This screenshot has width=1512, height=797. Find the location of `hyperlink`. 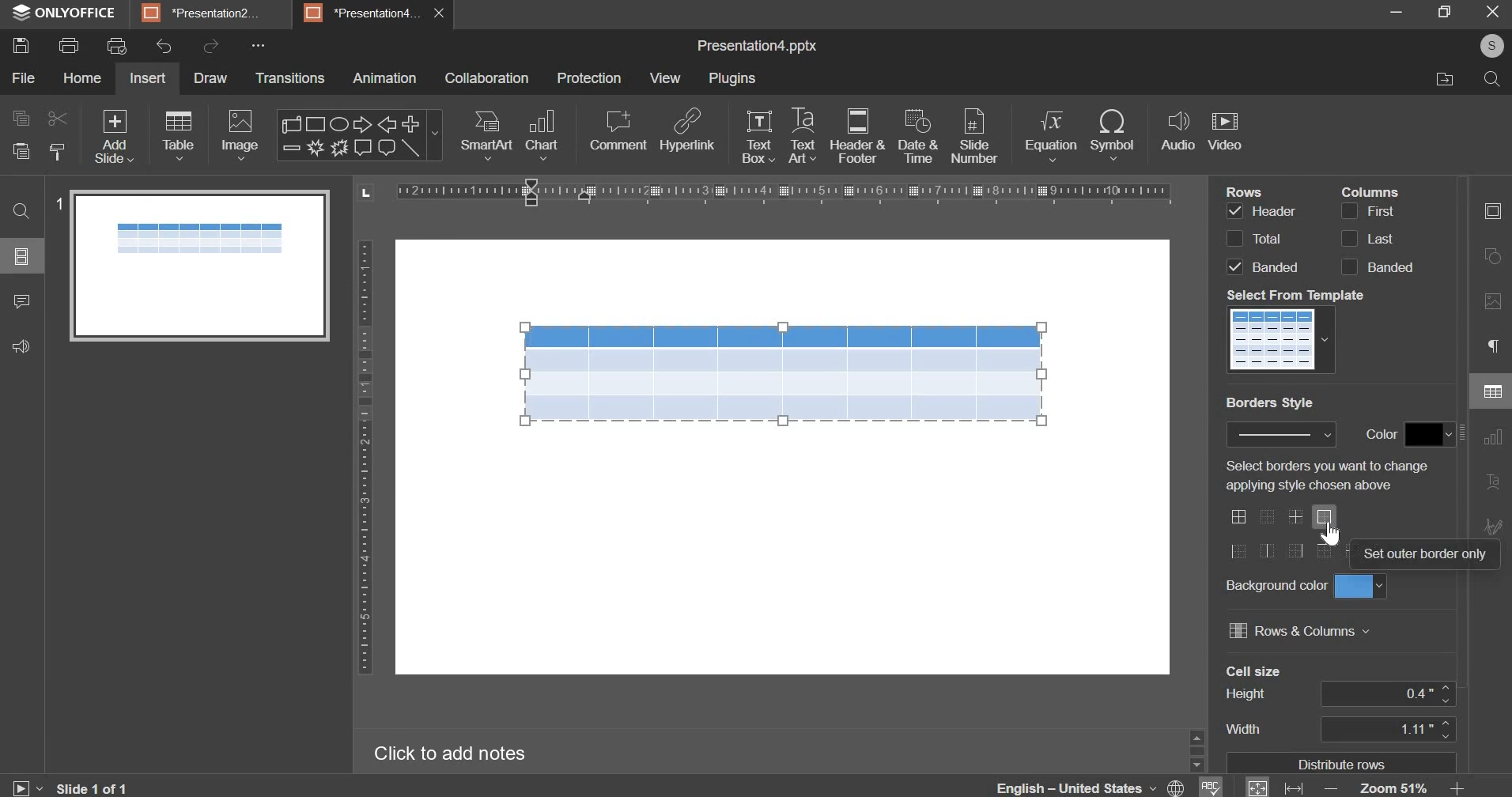

hyperlink is located at coordinates (687, 130).